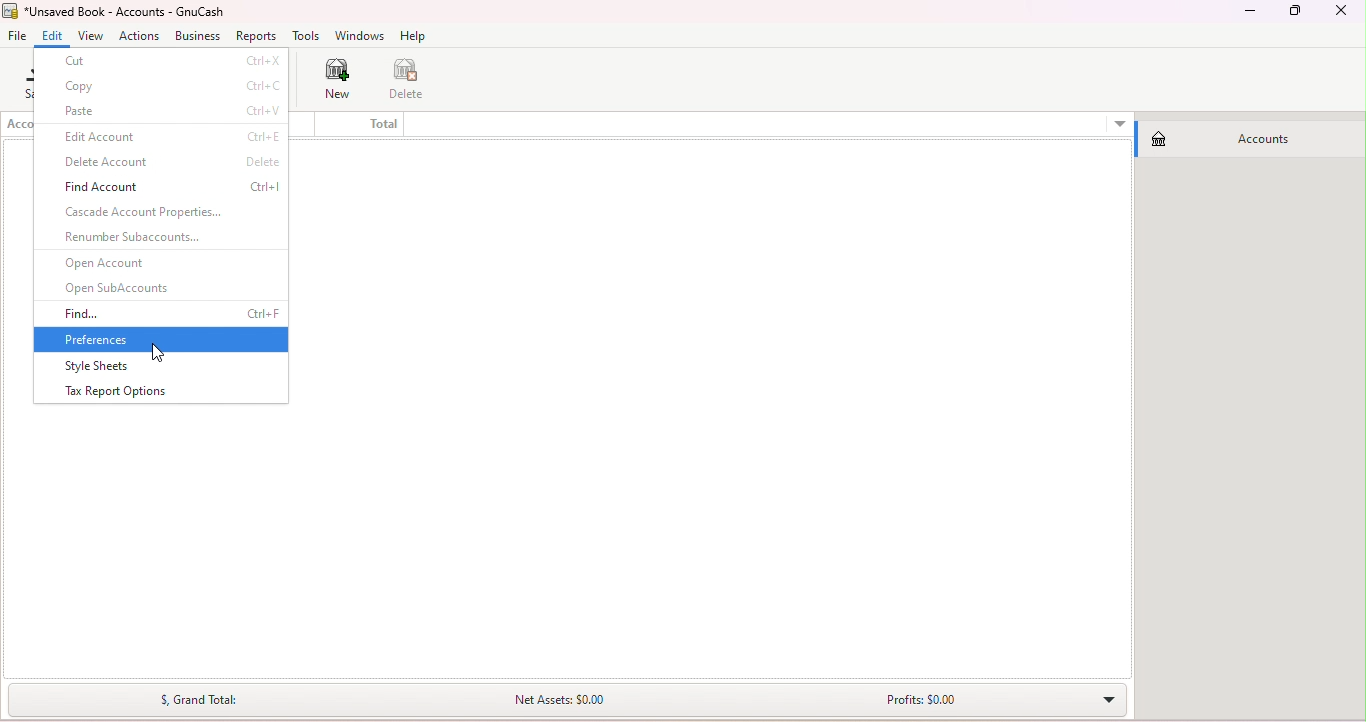  What do you see at coordinates (358, 35) in the screenshot?
I see `Windows` at bounding box center [358, 35].